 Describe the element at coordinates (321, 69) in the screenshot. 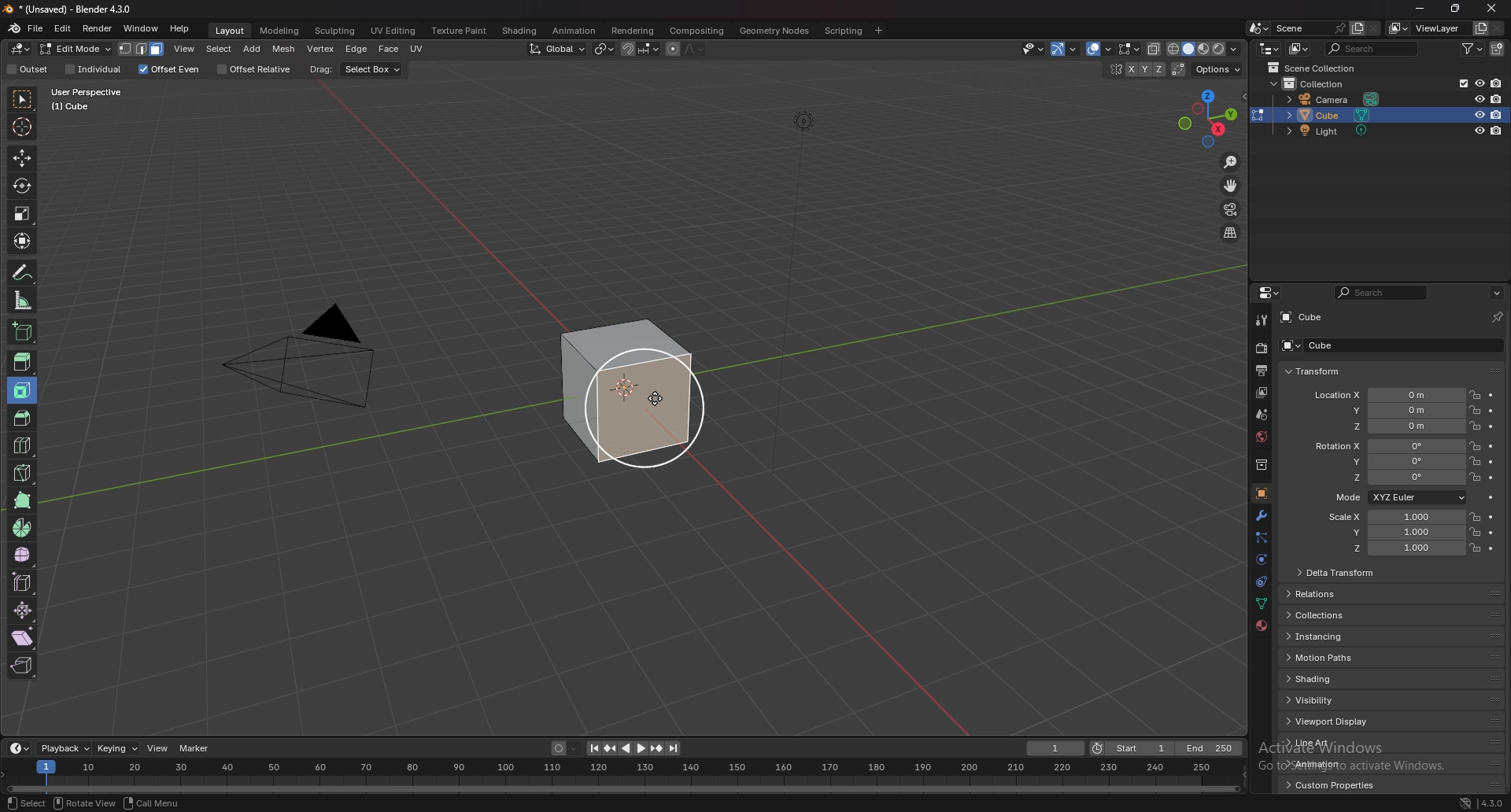

I see `drag` at that location.